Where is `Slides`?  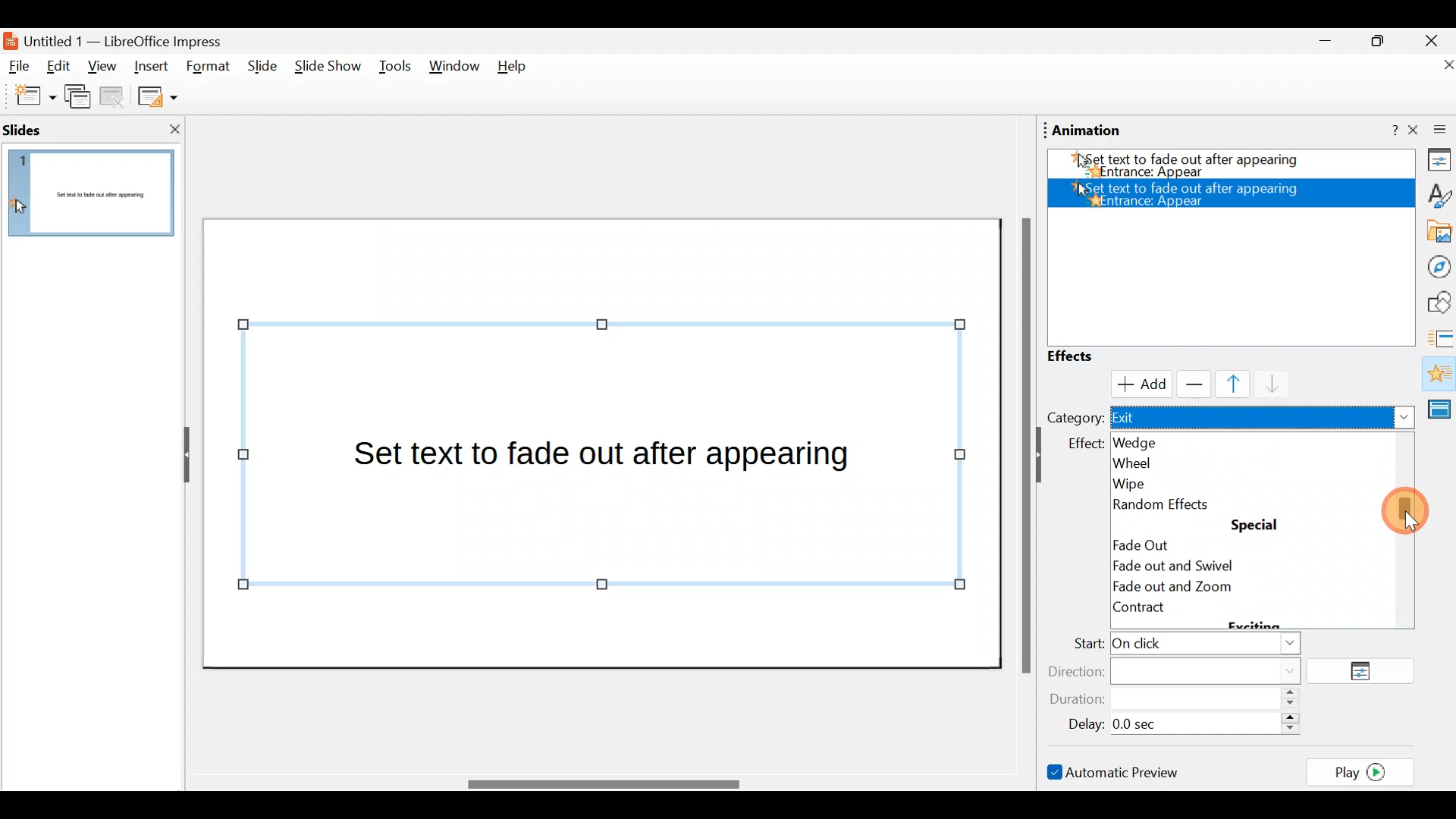 Slides is located at coordinates (49, 129).